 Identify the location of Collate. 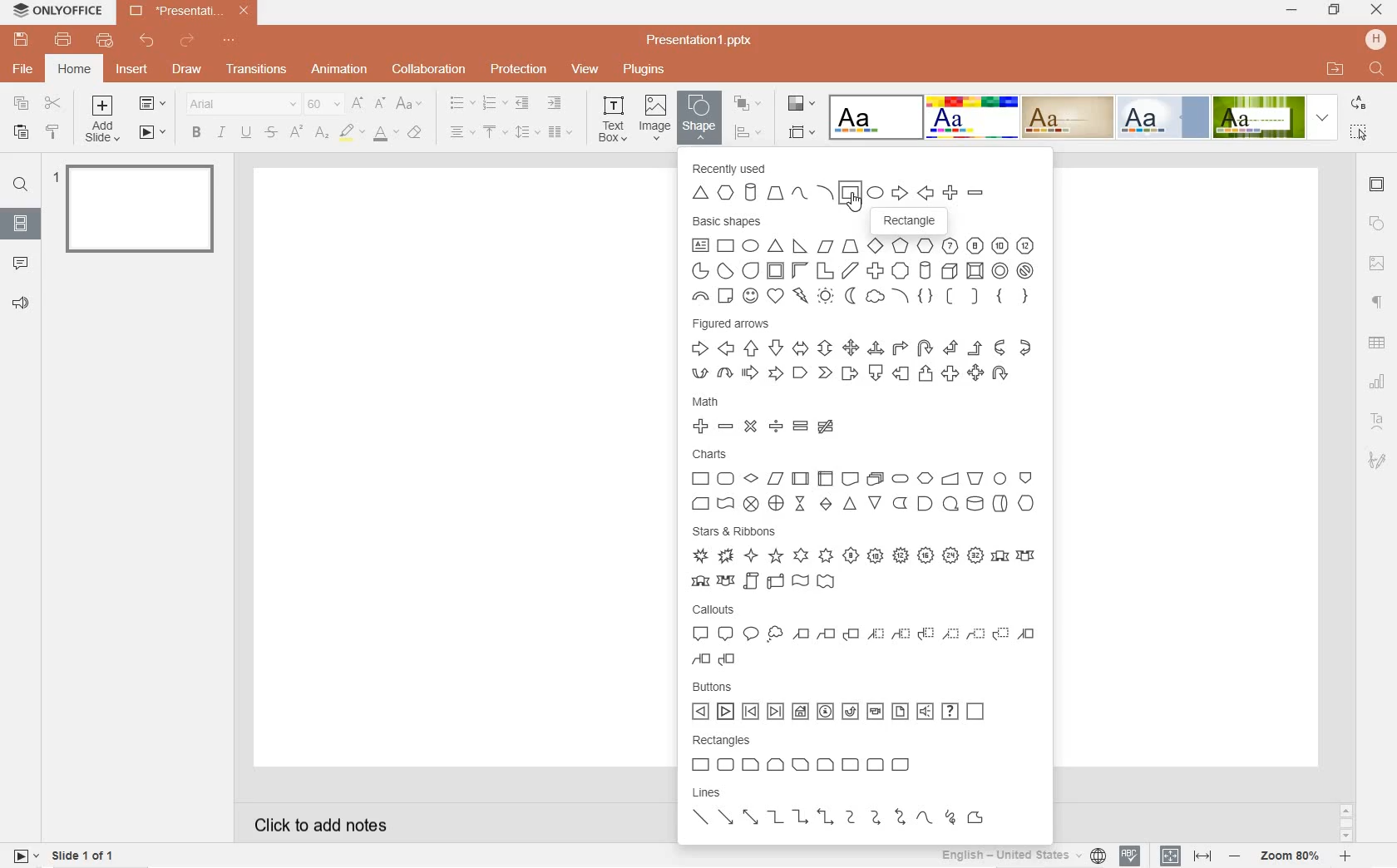
(801, 504).